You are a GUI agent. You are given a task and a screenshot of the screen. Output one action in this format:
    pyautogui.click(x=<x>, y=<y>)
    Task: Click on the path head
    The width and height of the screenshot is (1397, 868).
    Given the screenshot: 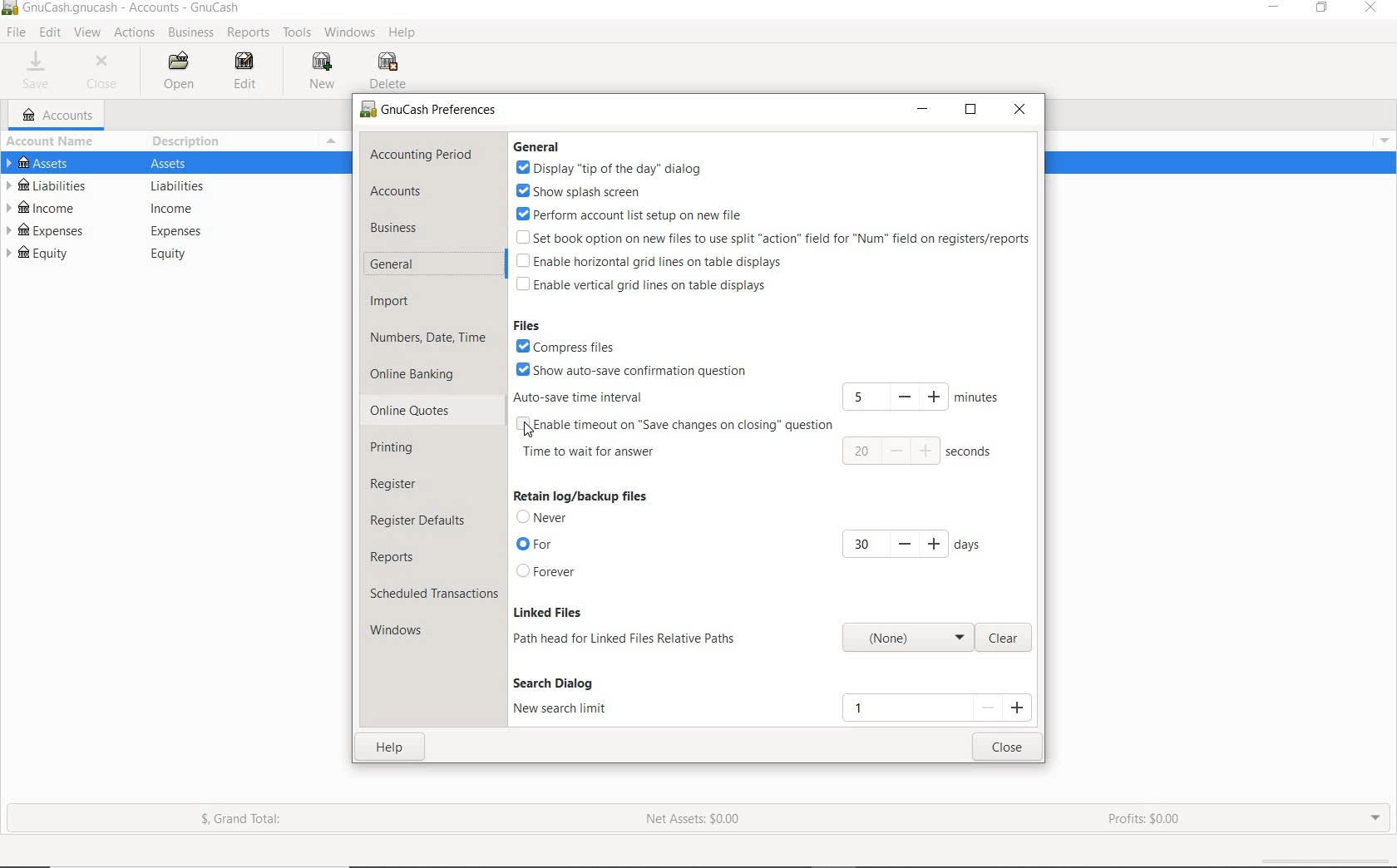 What is the action you would take?
    pyautogui.click(x=904, y=638)
    